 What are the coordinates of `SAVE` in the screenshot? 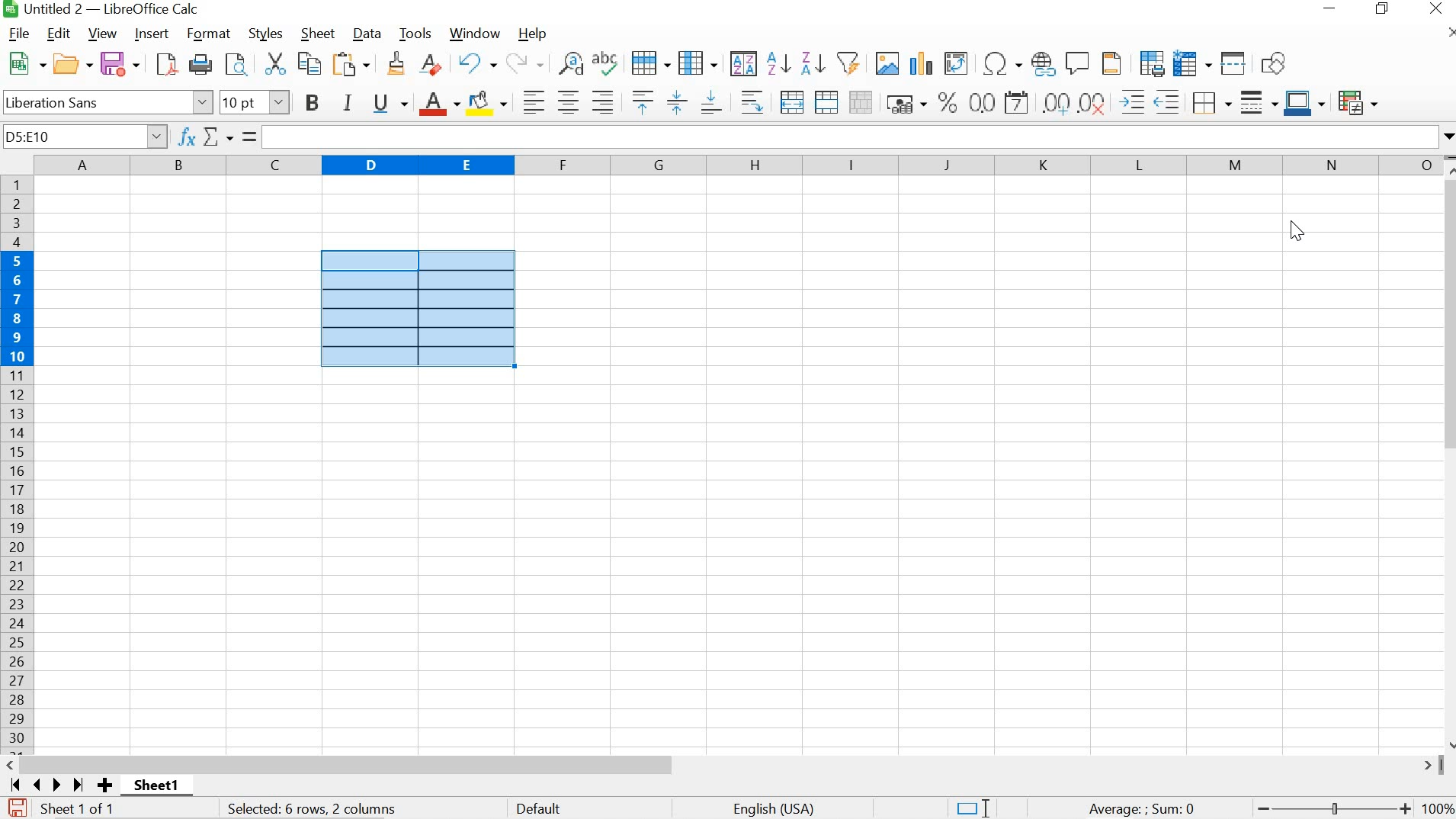 It's located at (15, 808).